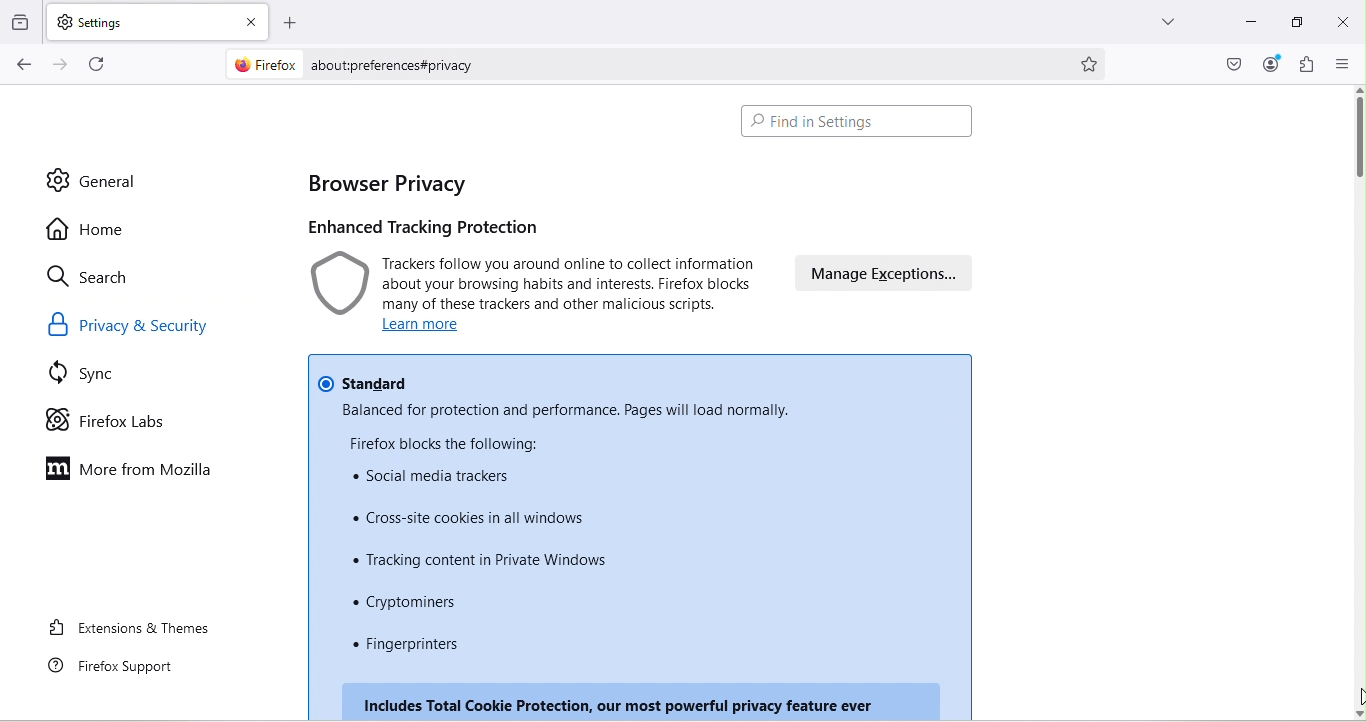 The width and height of the screenshot is (1366, 722). I want to click on | Trackers follow you around online to collect information
about your browsing habits and interests. Firefox blocks
many of these trackers and other malicious scripts.
Learn more, so click(535, 295).